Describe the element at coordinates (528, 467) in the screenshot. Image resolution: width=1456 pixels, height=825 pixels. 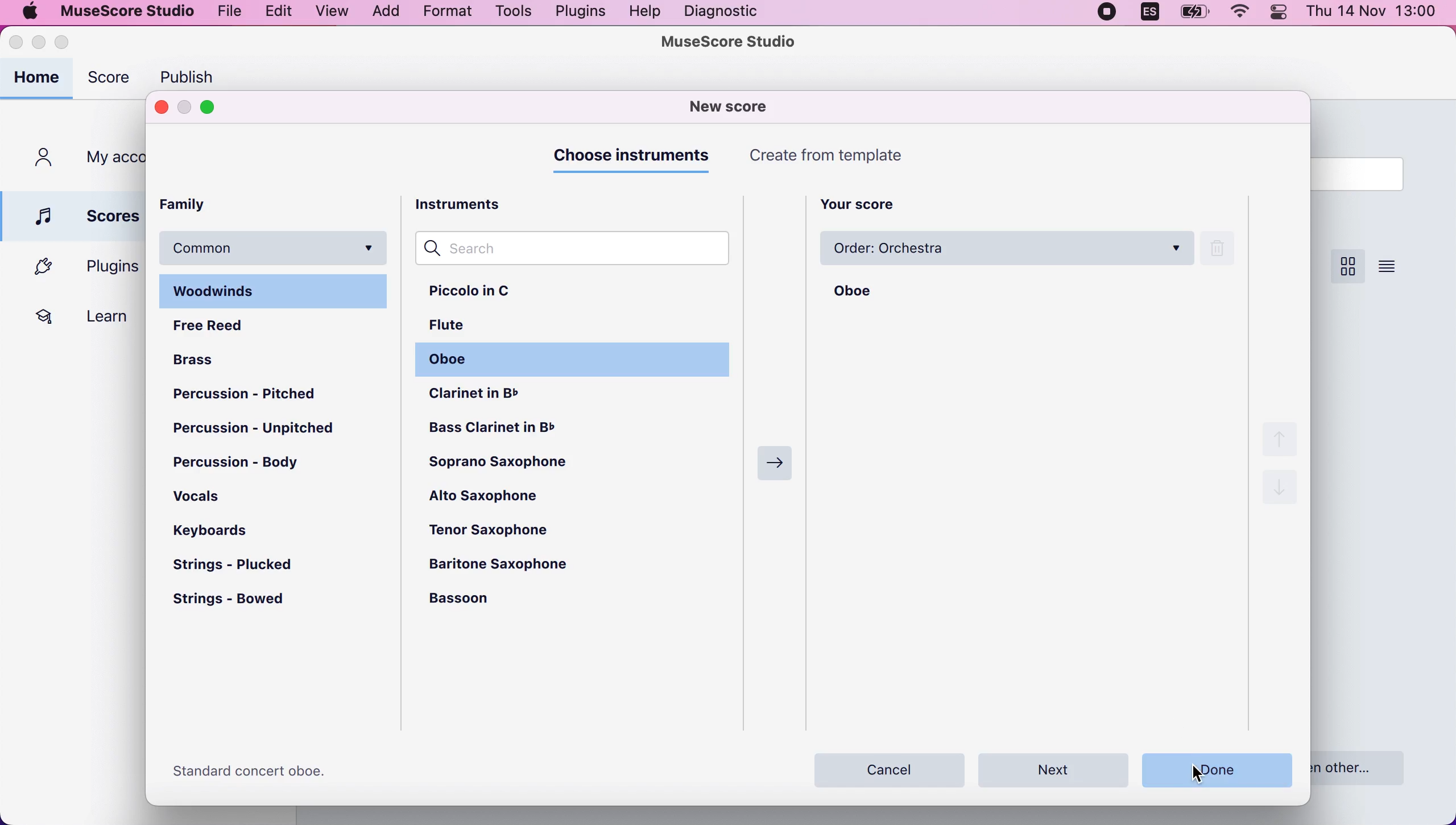
I see `soprano saxophone` at that location.